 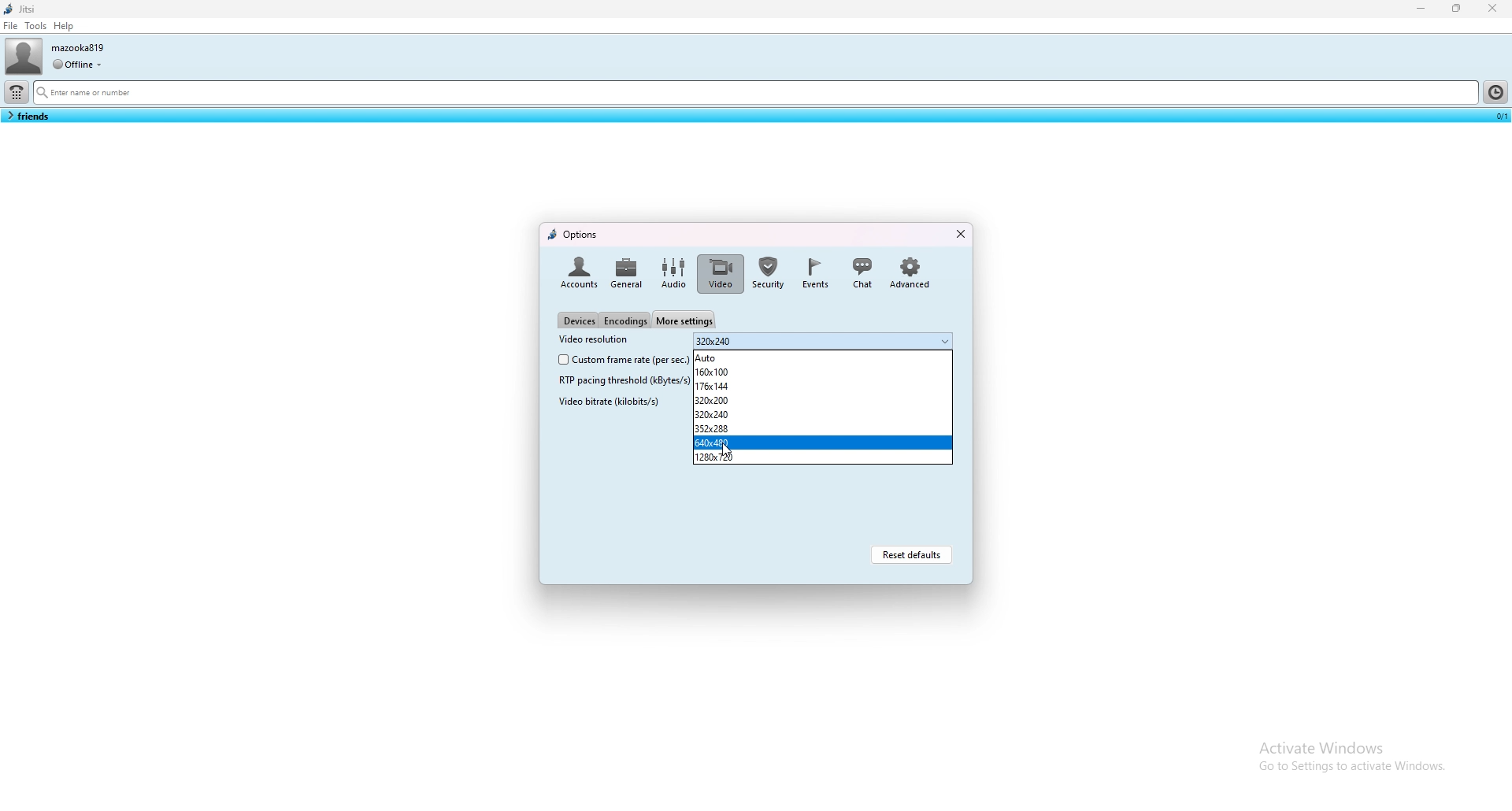 What do you see at coordinates (822, 414) in the screenshot?
I see `320 by 240` at bounding box center [822, 414].